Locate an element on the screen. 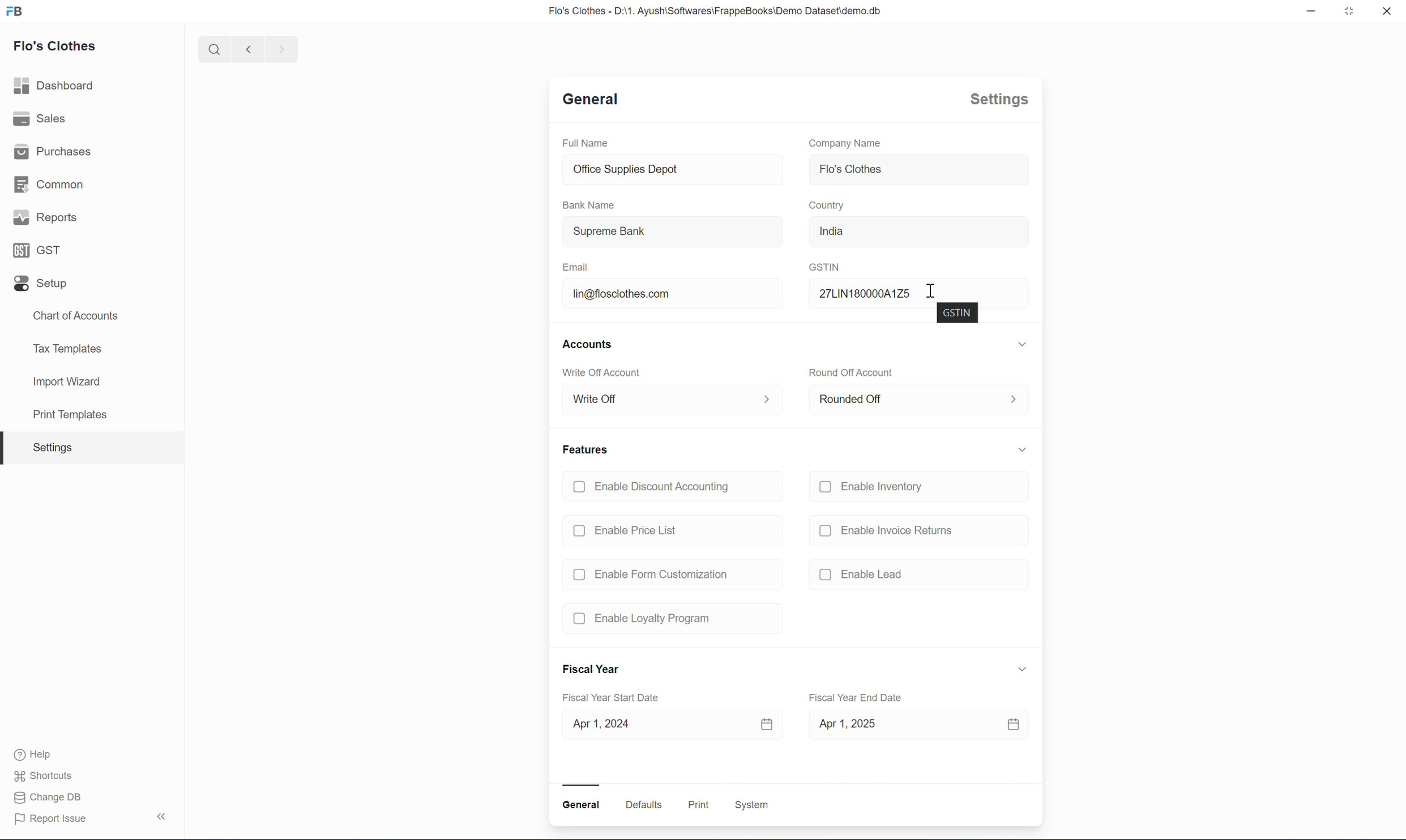 Image resolution: width=1406 pixels, height=840 pixels. Report Issue is located at coordinates (49, 818).